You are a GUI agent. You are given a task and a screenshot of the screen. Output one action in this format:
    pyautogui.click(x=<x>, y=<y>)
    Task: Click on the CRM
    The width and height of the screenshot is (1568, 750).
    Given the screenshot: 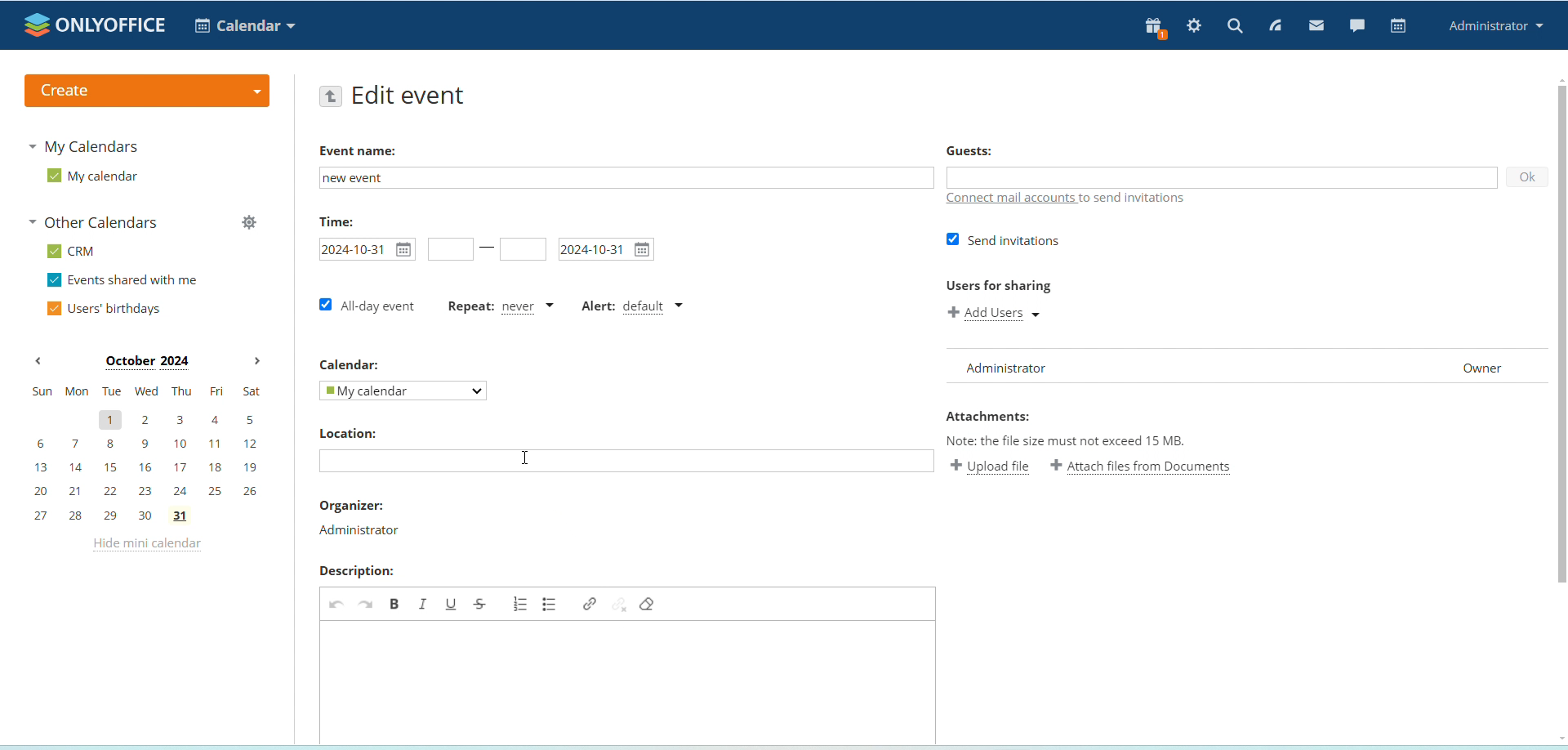 What is the action you would take?
    pyautogui.click(x=73, y=252)
    